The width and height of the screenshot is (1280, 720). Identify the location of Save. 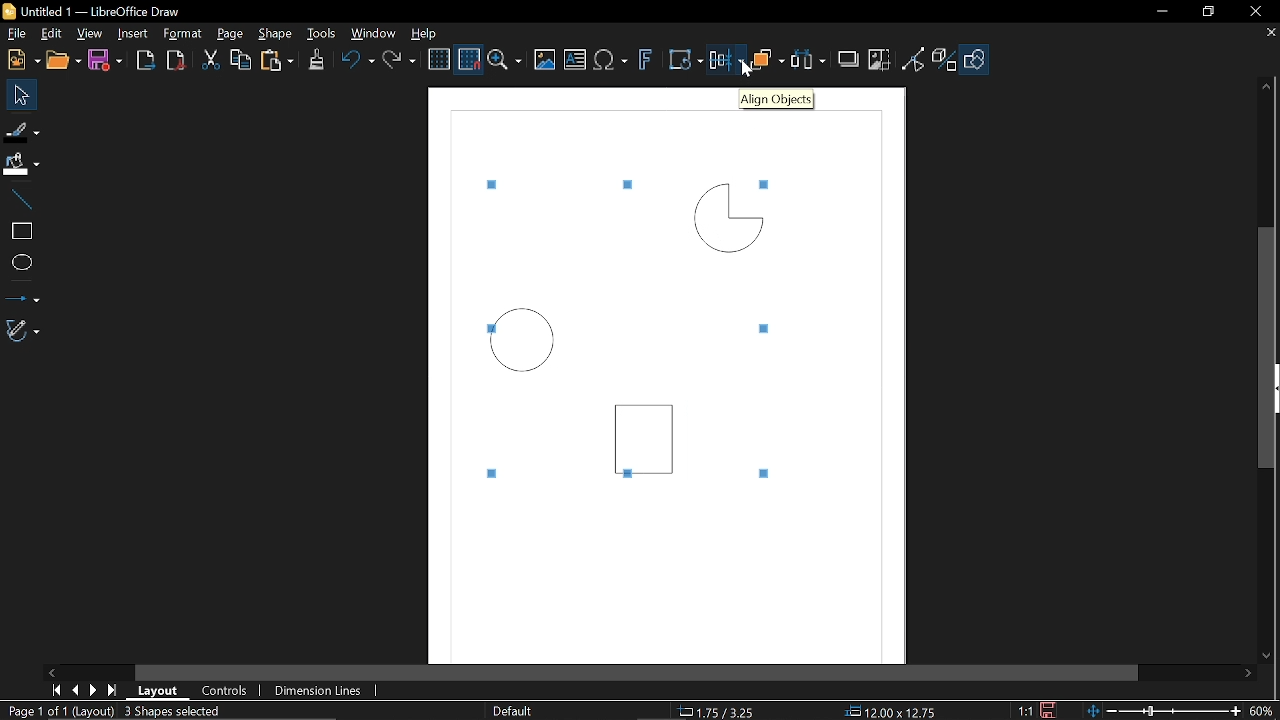
(104, 61).